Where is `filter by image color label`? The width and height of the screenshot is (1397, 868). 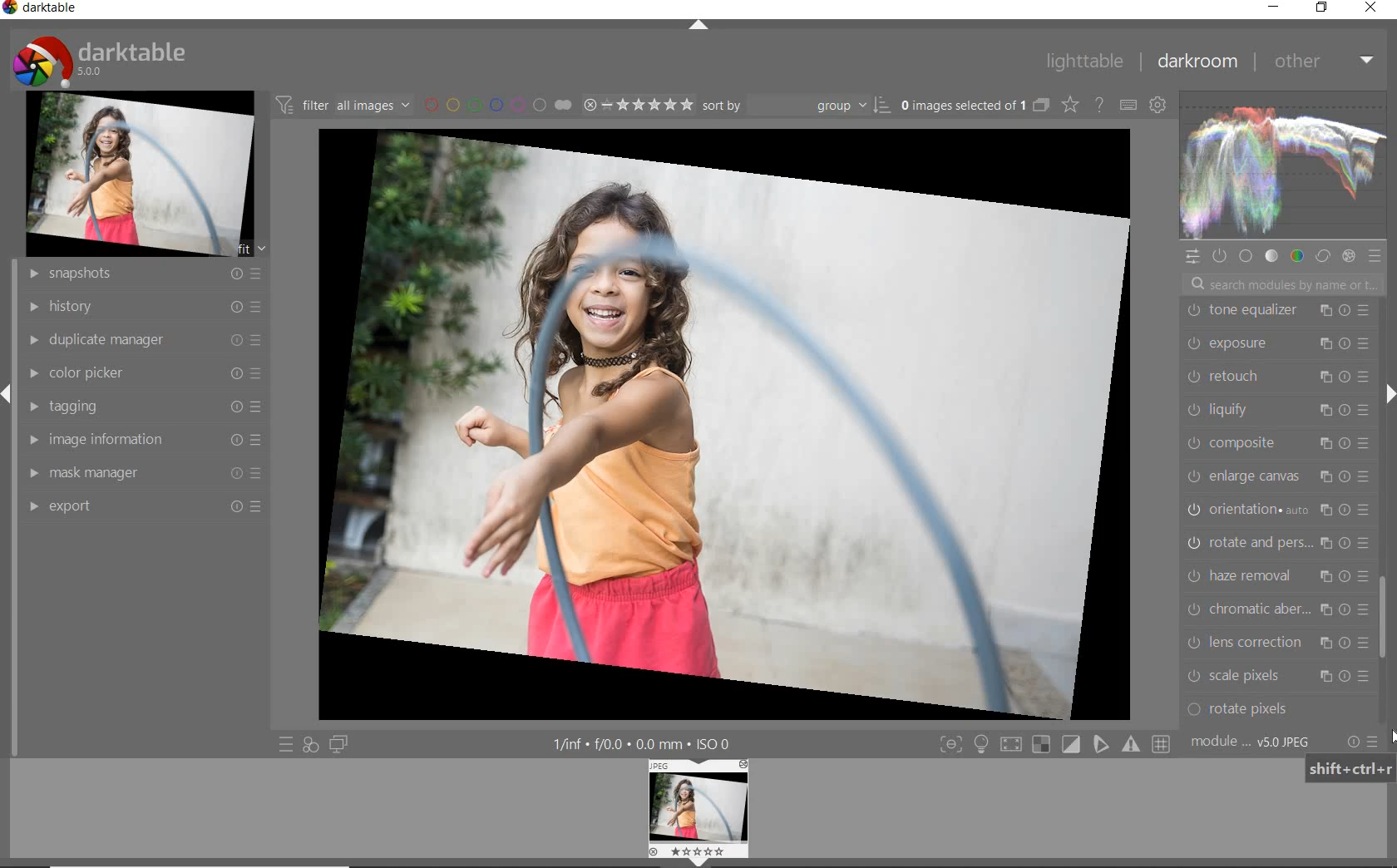 filter by image color label is located at coordinates (497, 104).